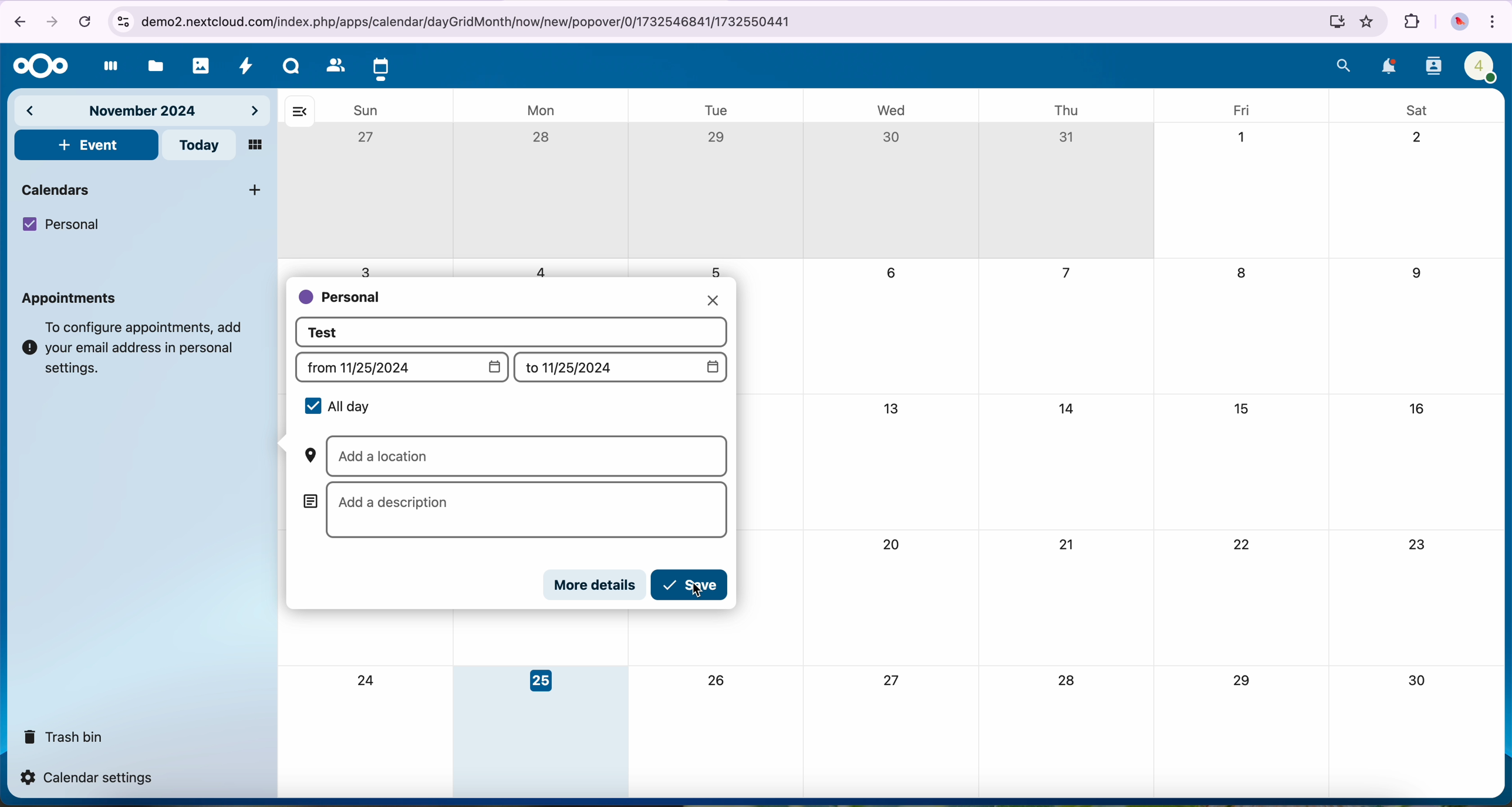 Image resolution: width=1512 pixels, height=807 pixels. I want to click on 28, so click(544, 139).